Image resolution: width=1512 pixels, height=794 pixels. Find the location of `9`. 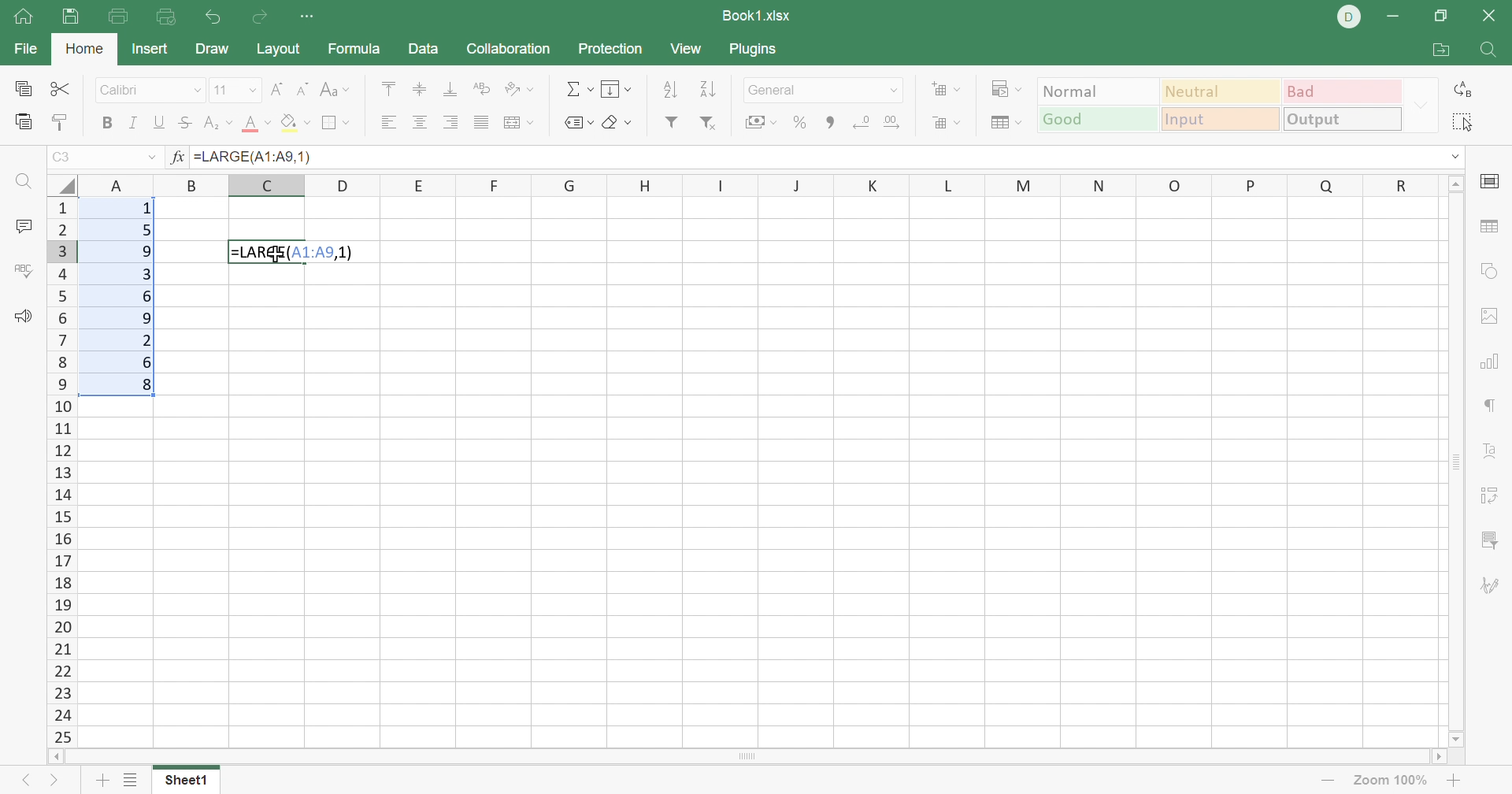

9 is located at coordinates (146, 317).